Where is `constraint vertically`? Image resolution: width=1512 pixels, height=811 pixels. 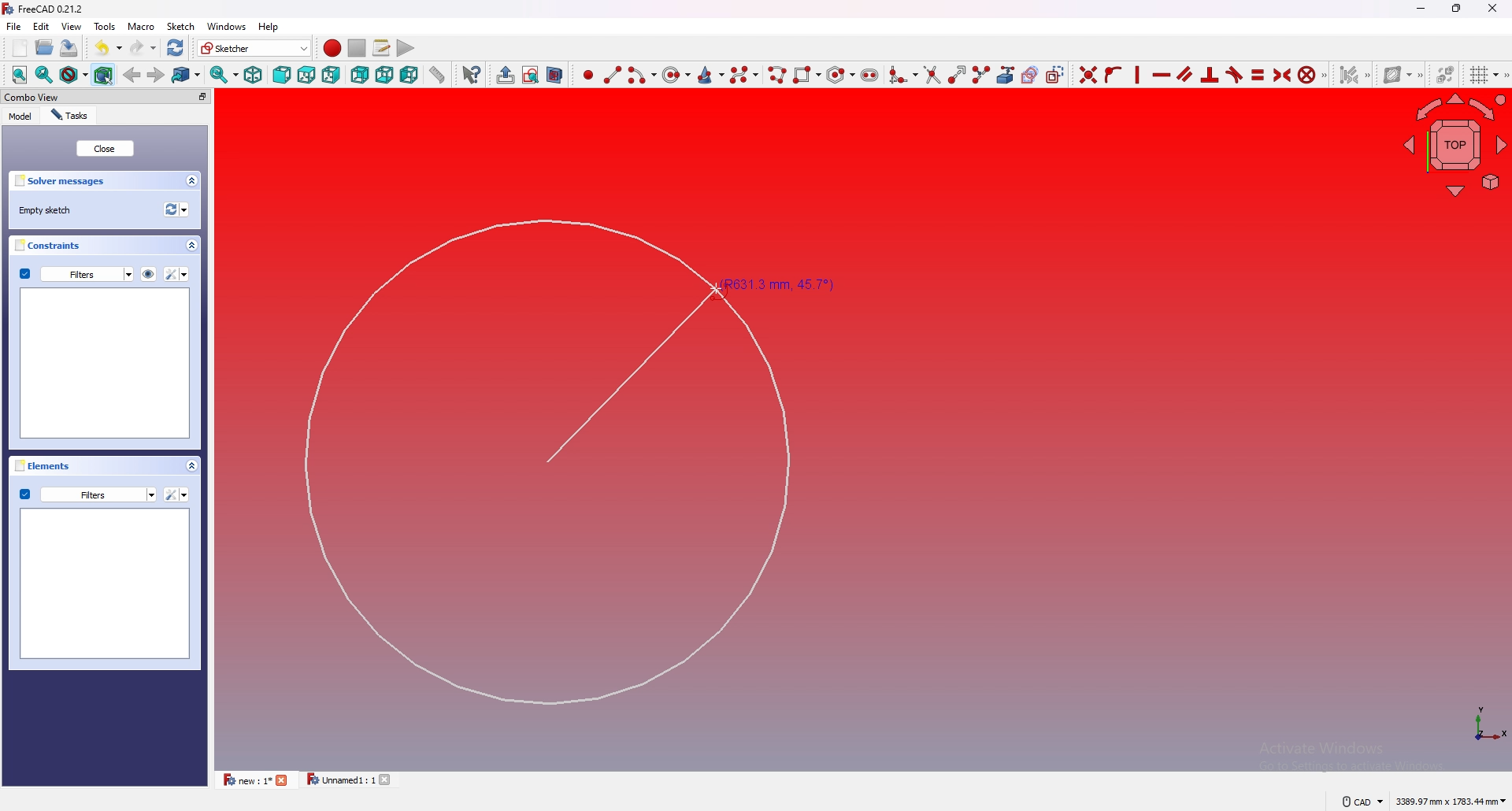 constraint vertically is located at coordinates (1139, 73).